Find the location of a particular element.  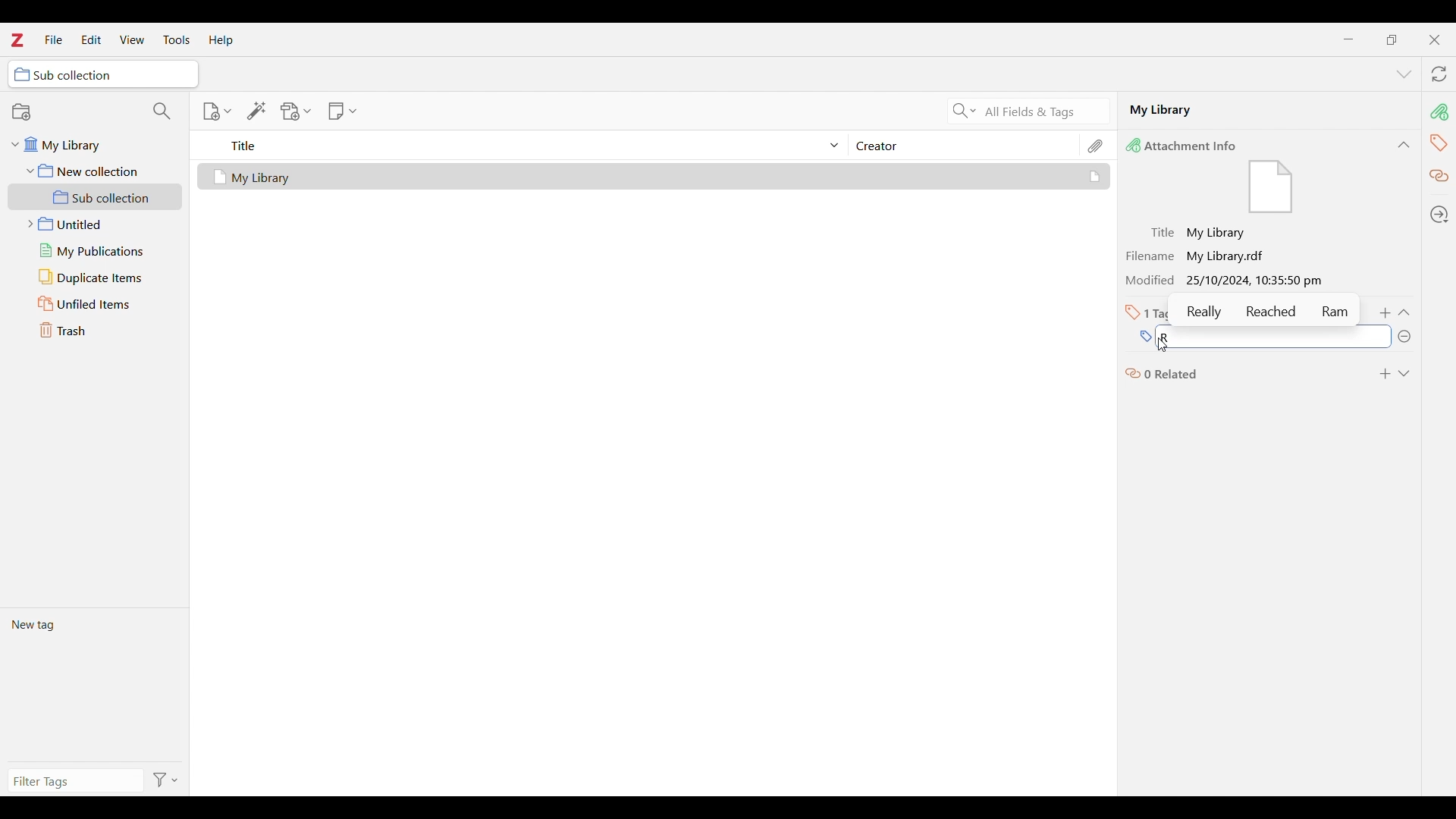

New collection is located at coordinates (21, 111).